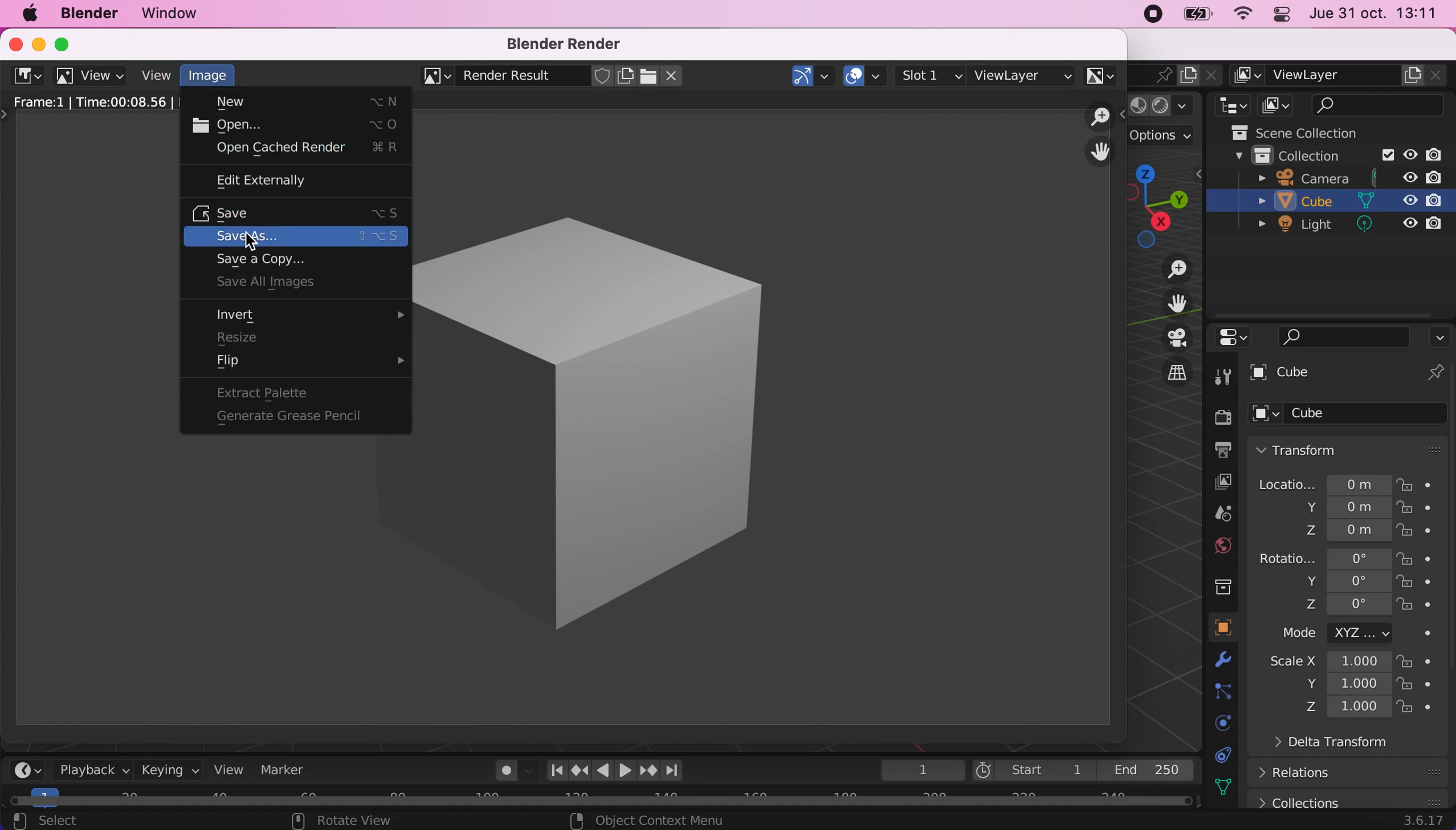  I want to click on minimize, so click(35, 43).